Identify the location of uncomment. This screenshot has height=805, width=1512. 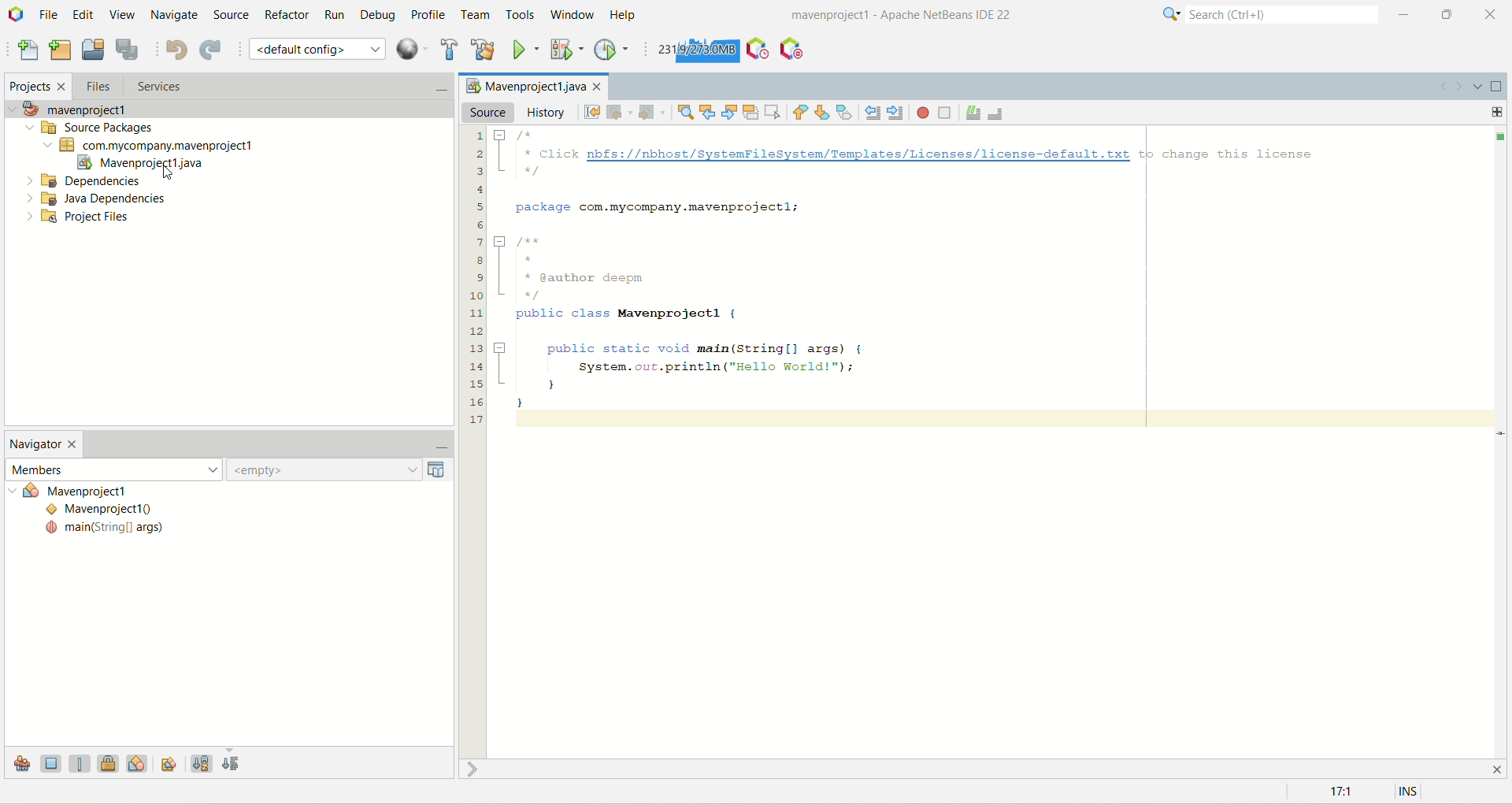
(997, 113).